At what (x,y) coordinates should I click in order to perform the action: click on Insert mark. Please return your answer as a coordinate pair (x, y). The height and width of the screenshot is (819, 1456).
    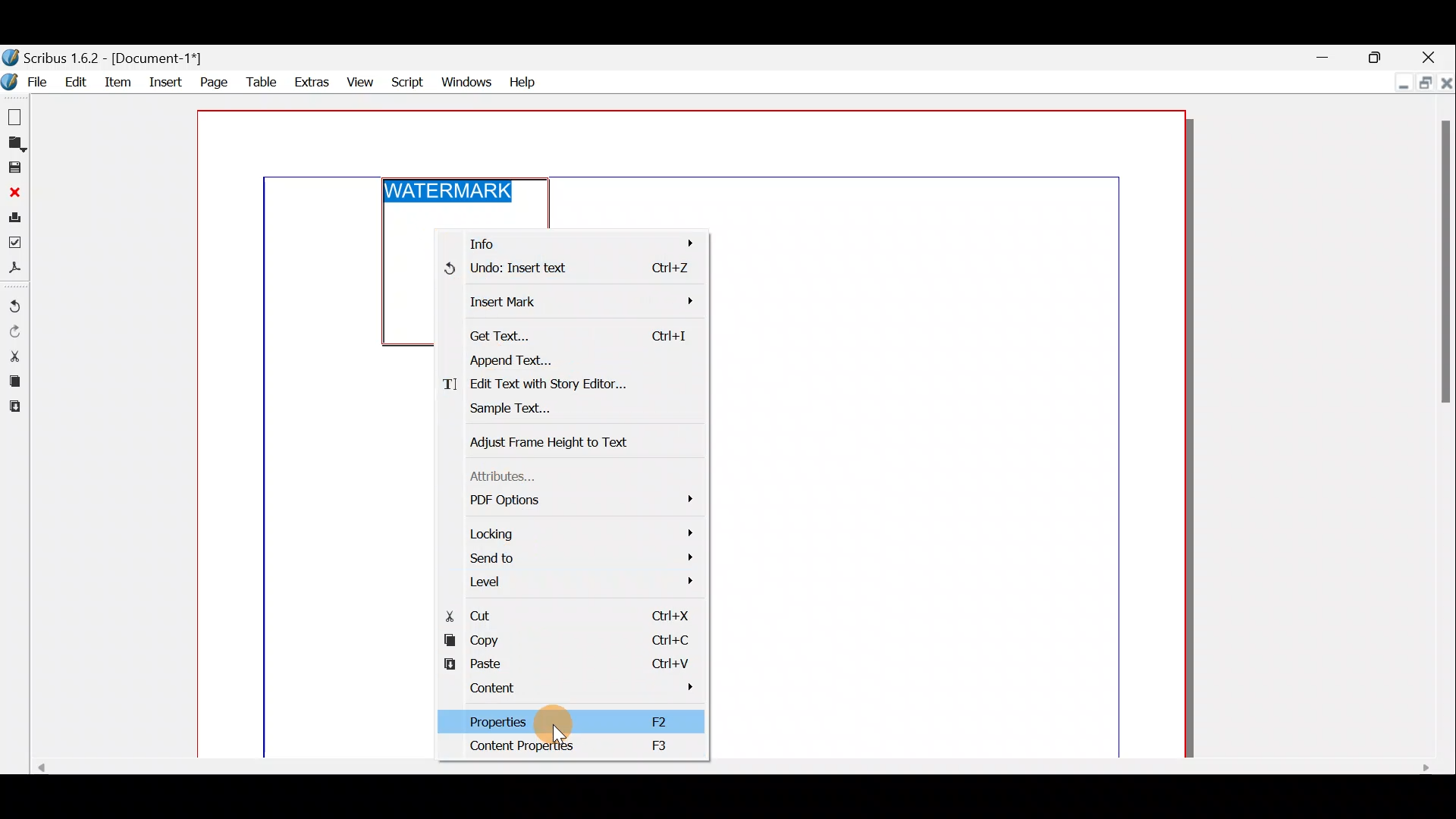
    Looking at the image, I should click on (571, 303).